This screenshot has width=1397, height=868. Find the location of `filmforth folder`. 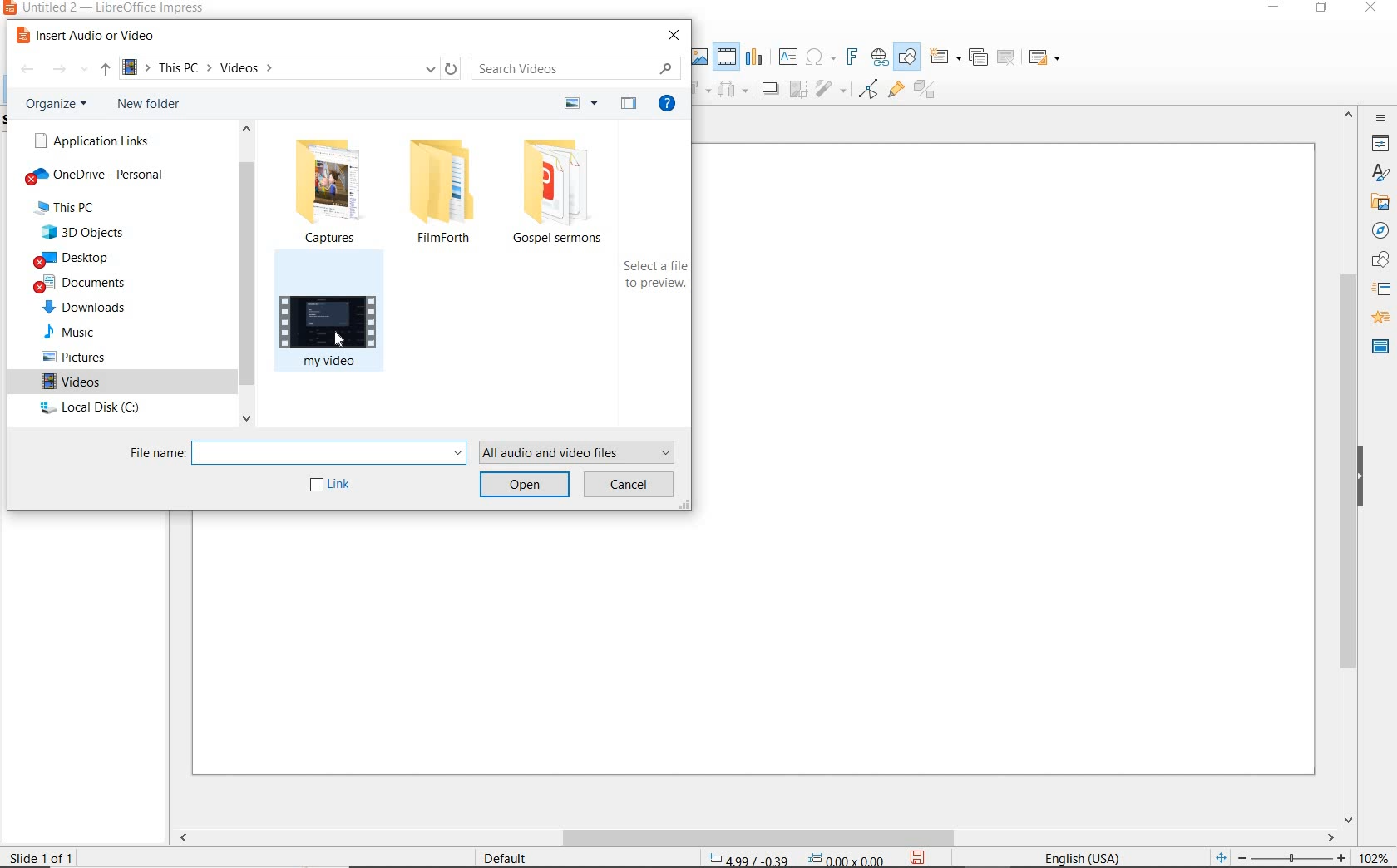

filmforth folder is located at coordinates (441, 191).